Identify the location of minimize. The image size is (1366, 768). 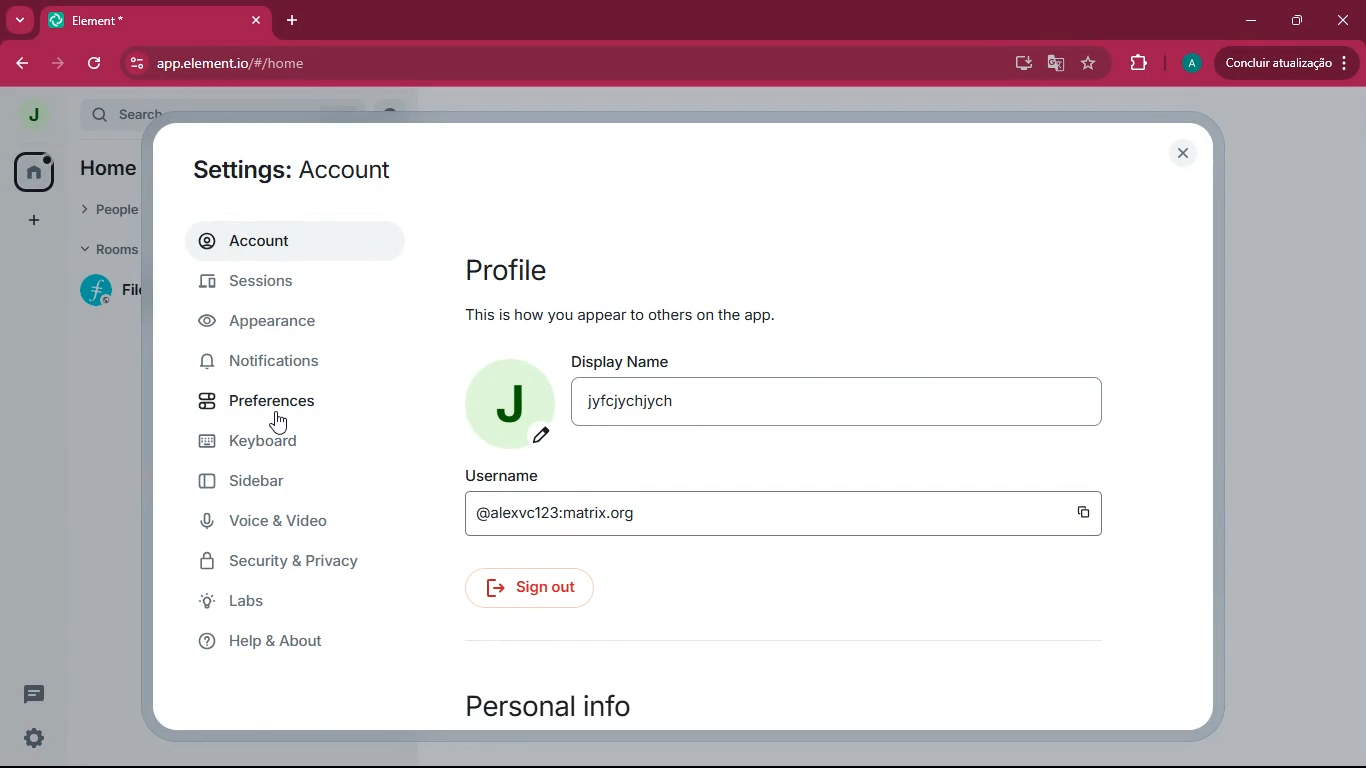
(1248, 21).